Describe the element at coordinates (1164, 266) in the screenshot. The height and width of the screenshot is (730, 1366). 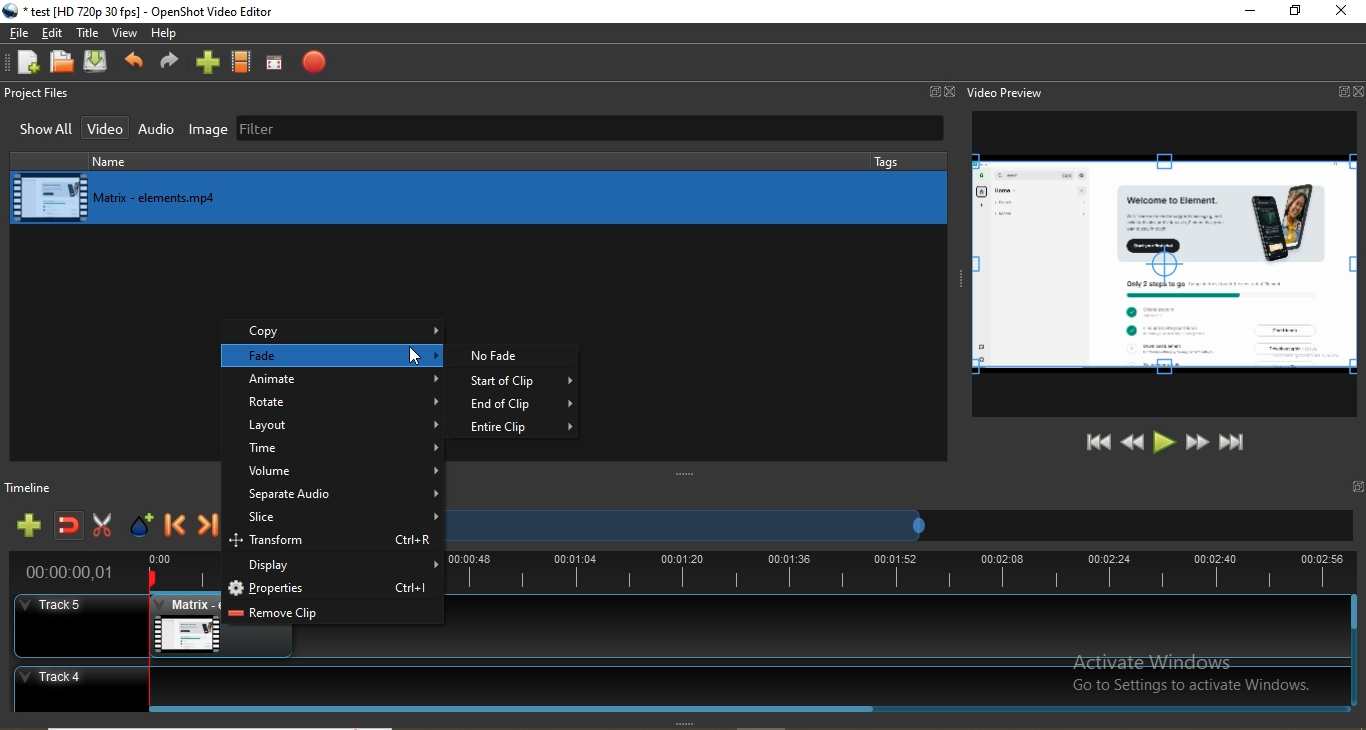
I see `editing buttons` at that location.